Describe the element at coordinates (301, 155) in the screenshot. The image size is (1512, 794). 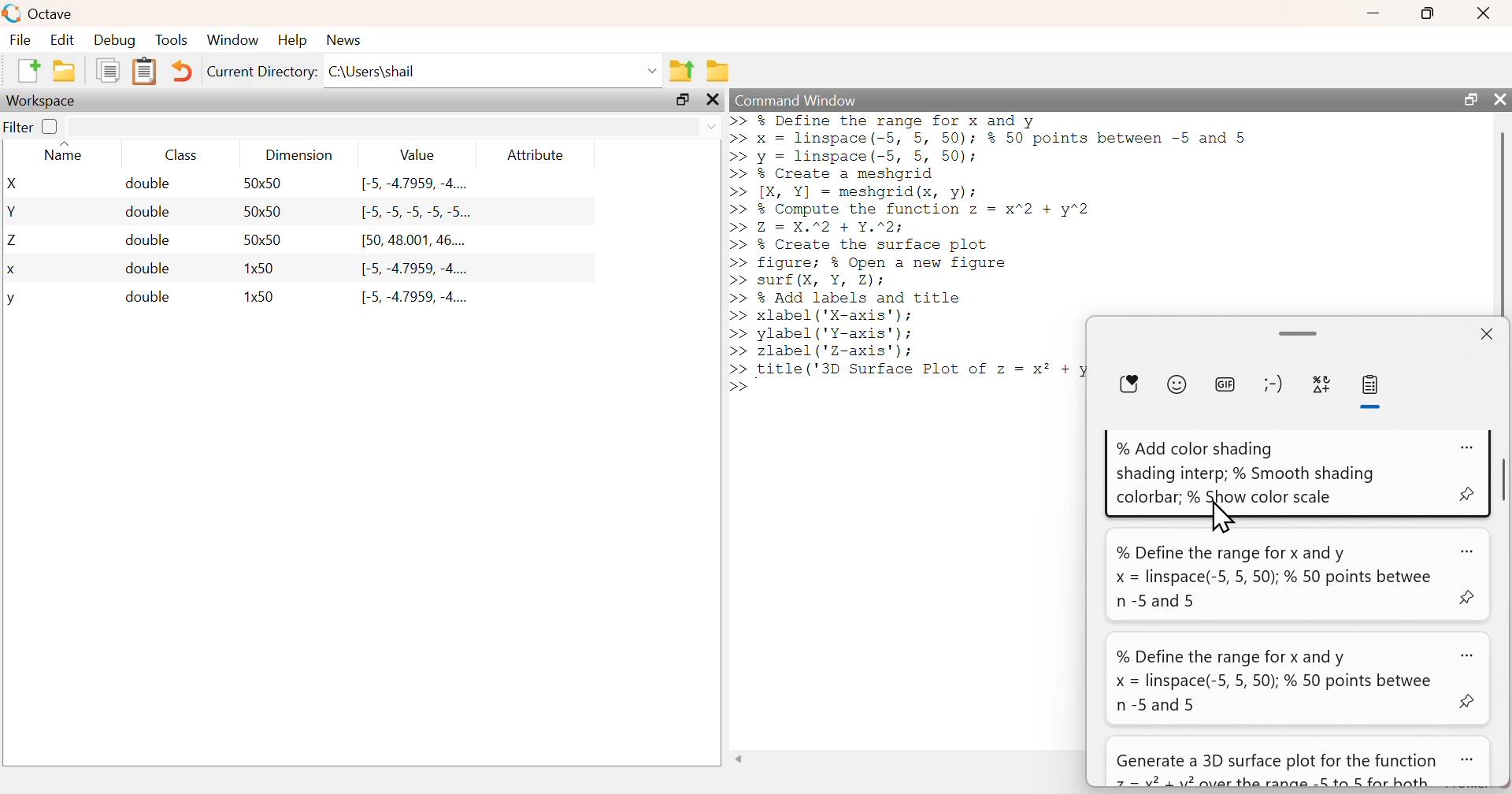
I see `Dimension` at that location.